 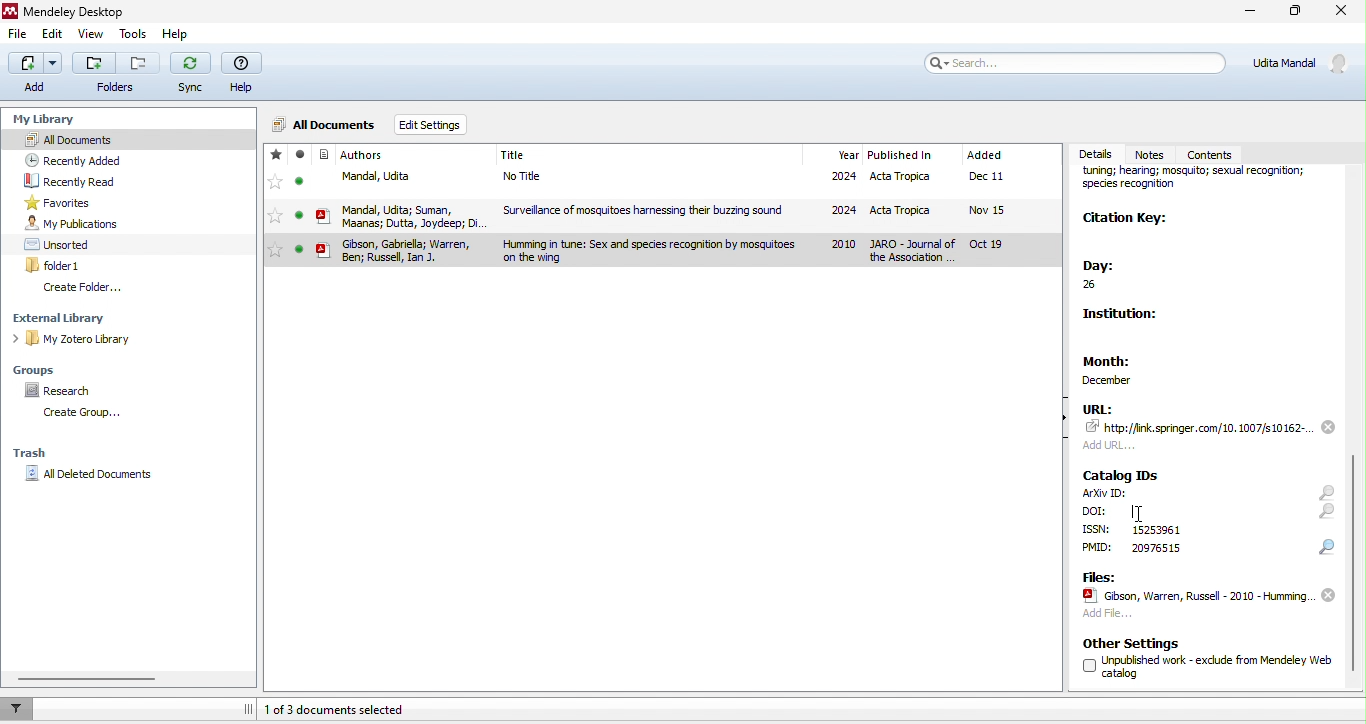 I want to click on view, so click(x=91, y=36).